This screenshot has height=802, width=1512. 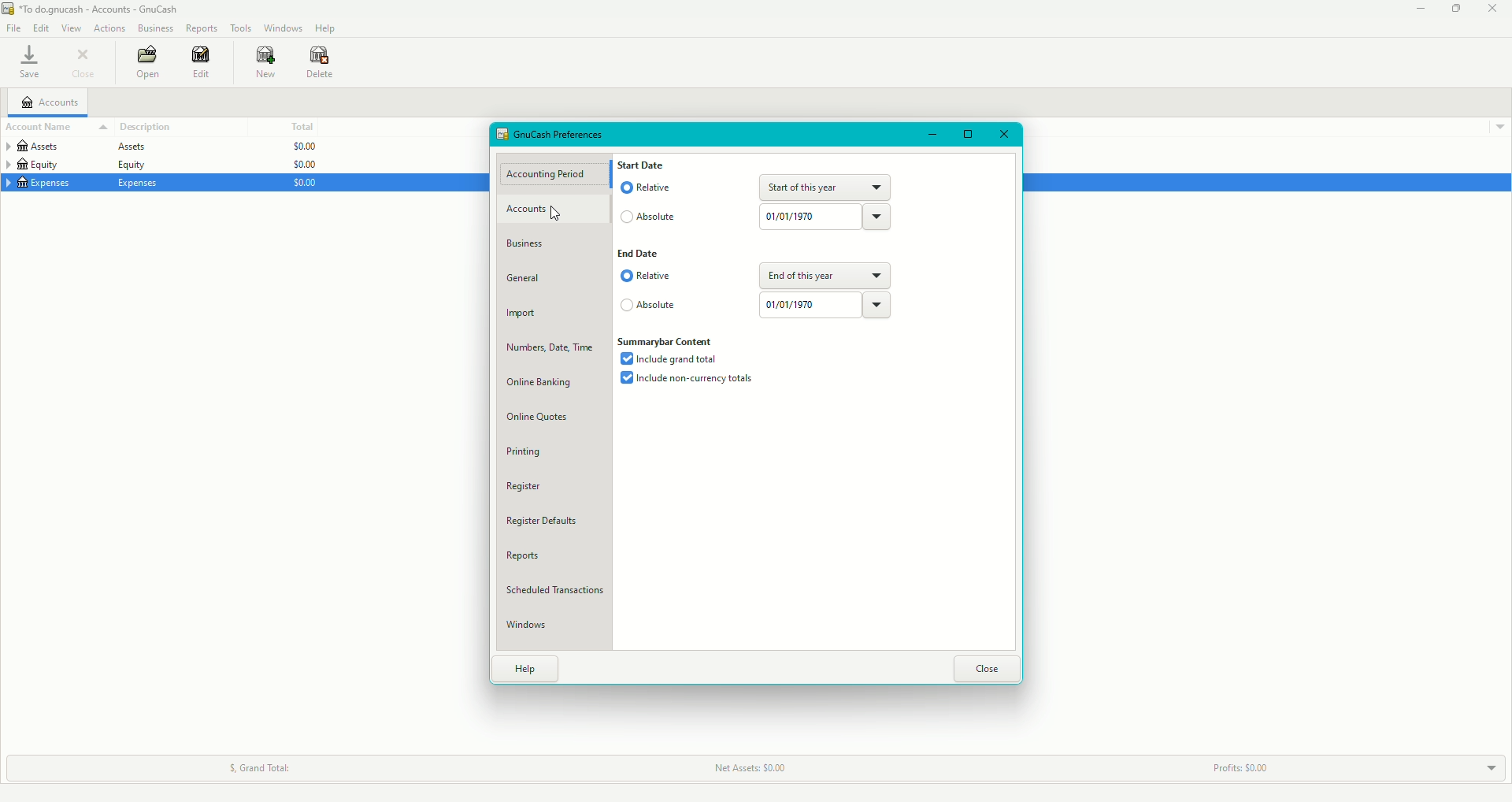 I want to click on Reports, so click(x=522, y=556).